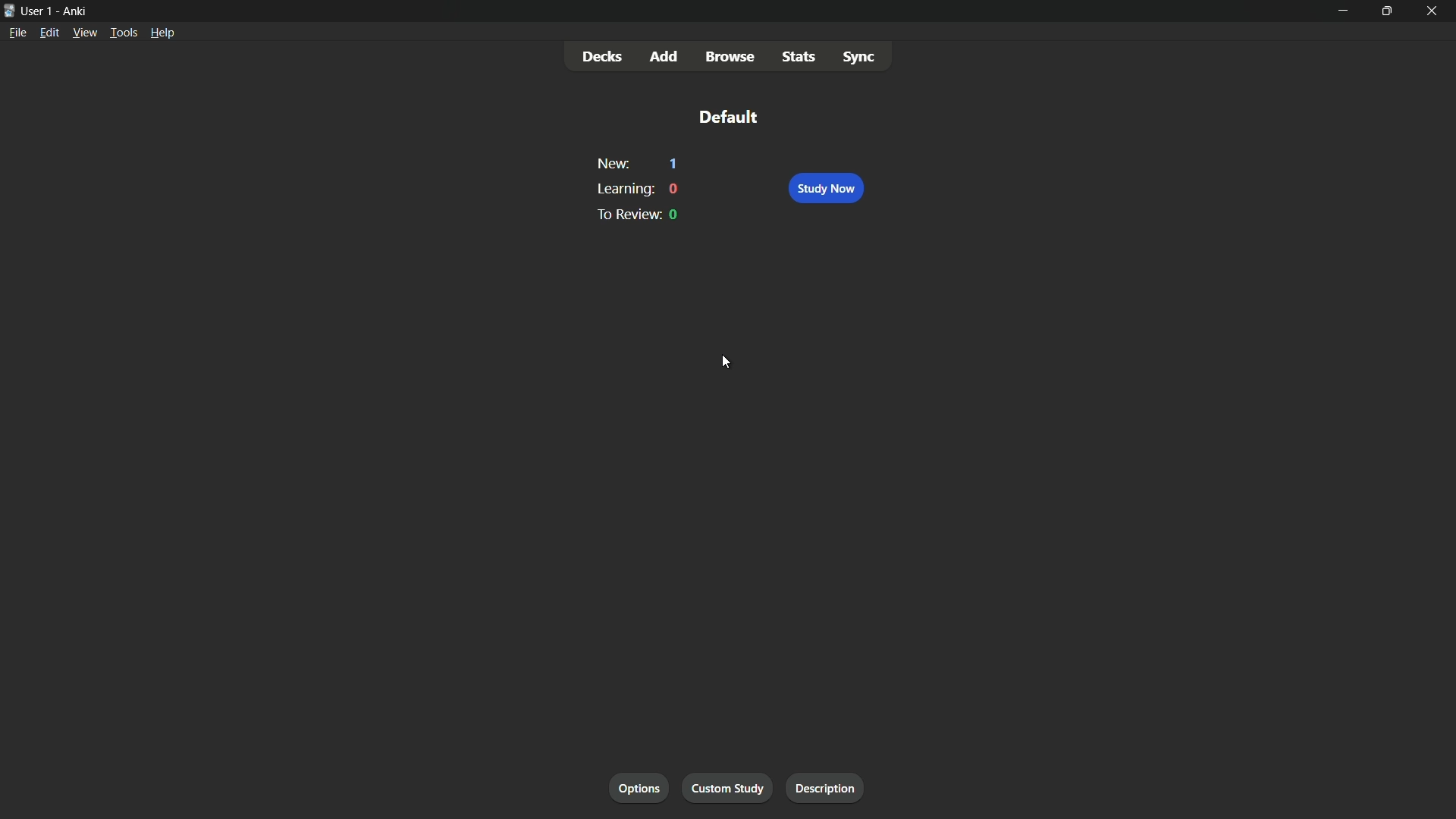 The height and width of the screenshot is (819, 1456). Describe the element at coordinates (672, 162) in the screenshot. I see `1` at that location.